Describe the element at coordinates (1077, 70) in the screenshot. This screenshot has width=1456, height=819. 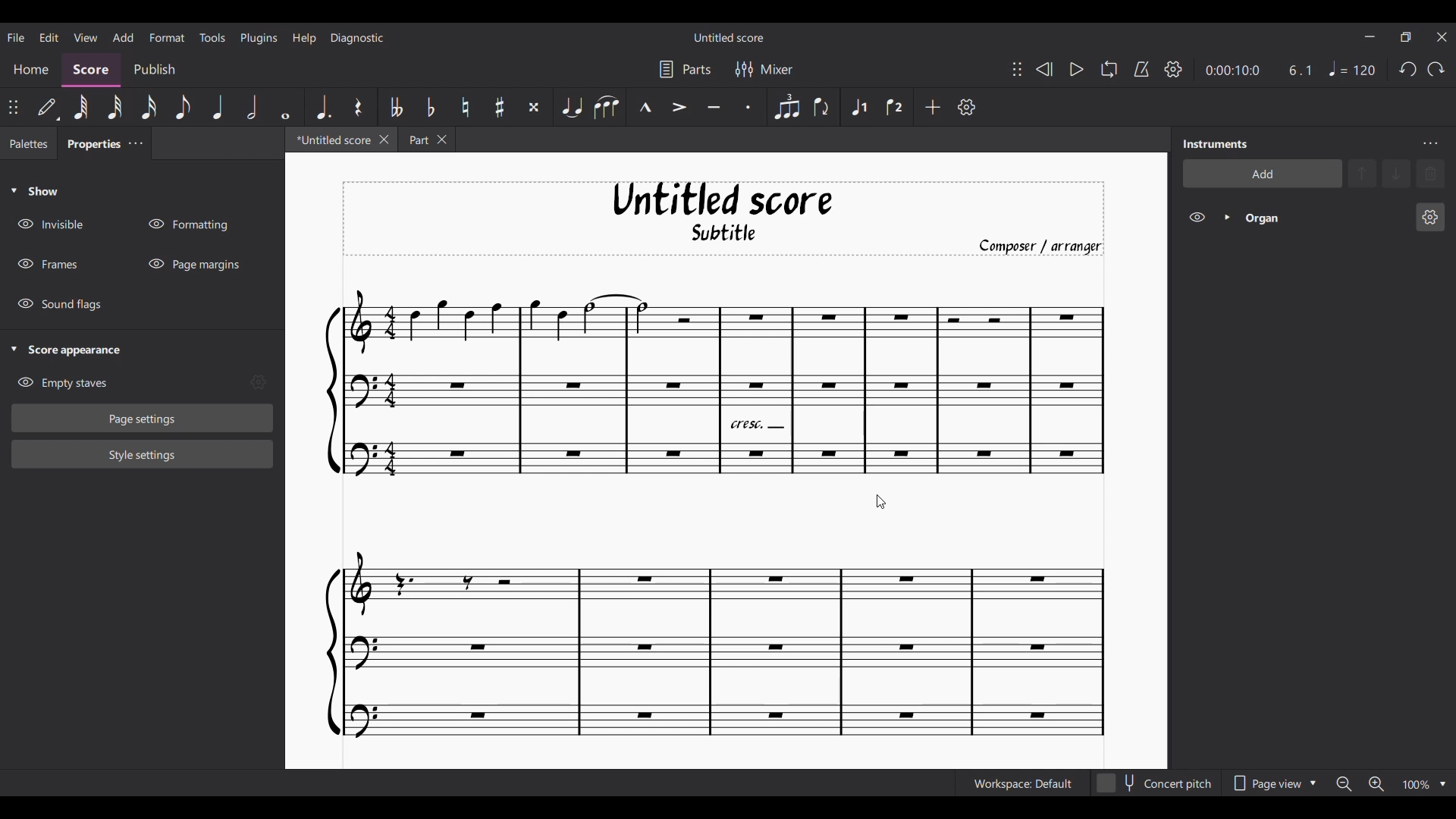
I see `Play` at that location.